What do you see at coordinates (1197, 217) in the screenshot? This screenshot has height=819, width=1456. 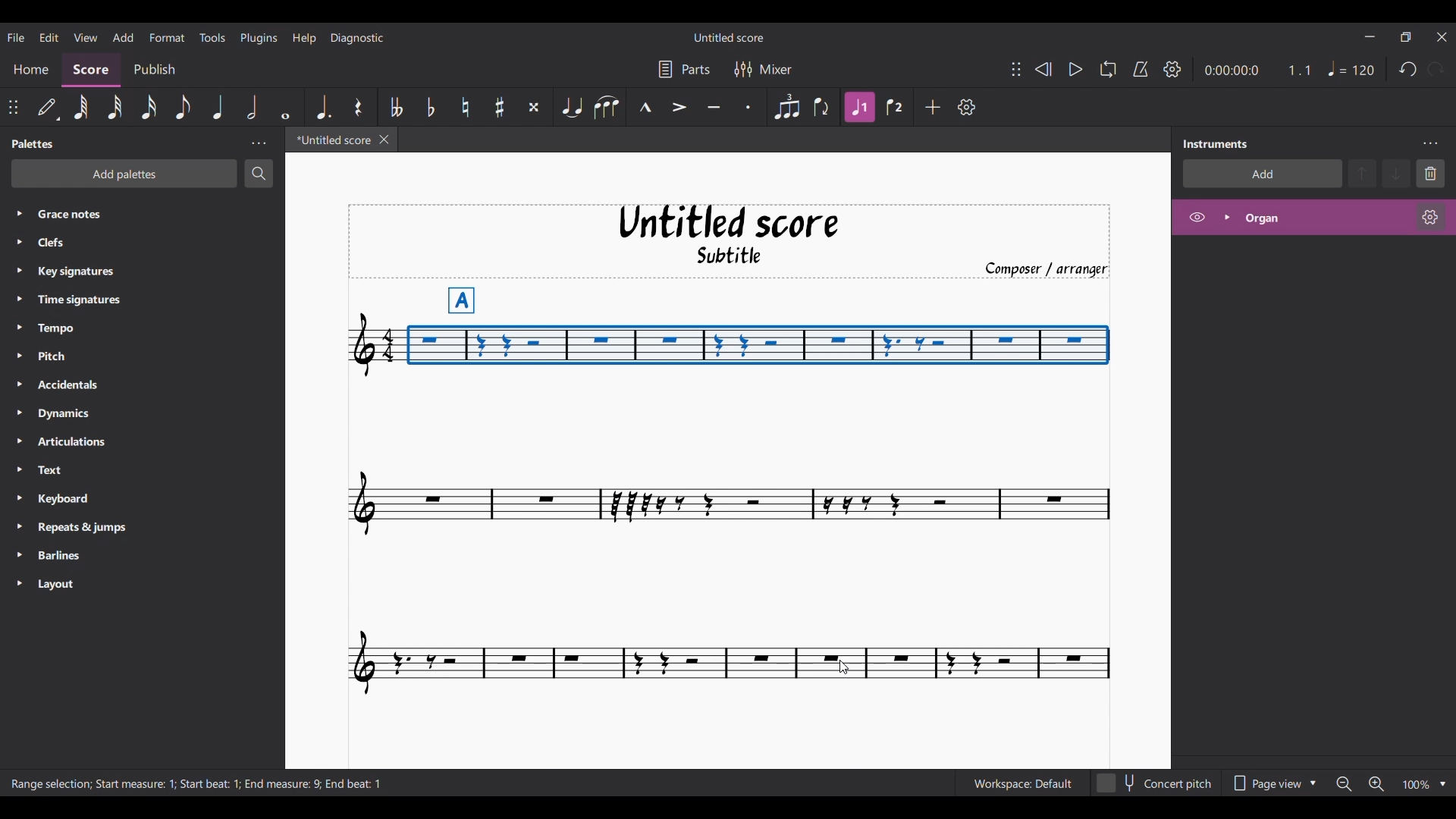 I see `Hide instrument` at bounding box center [1197, 217].